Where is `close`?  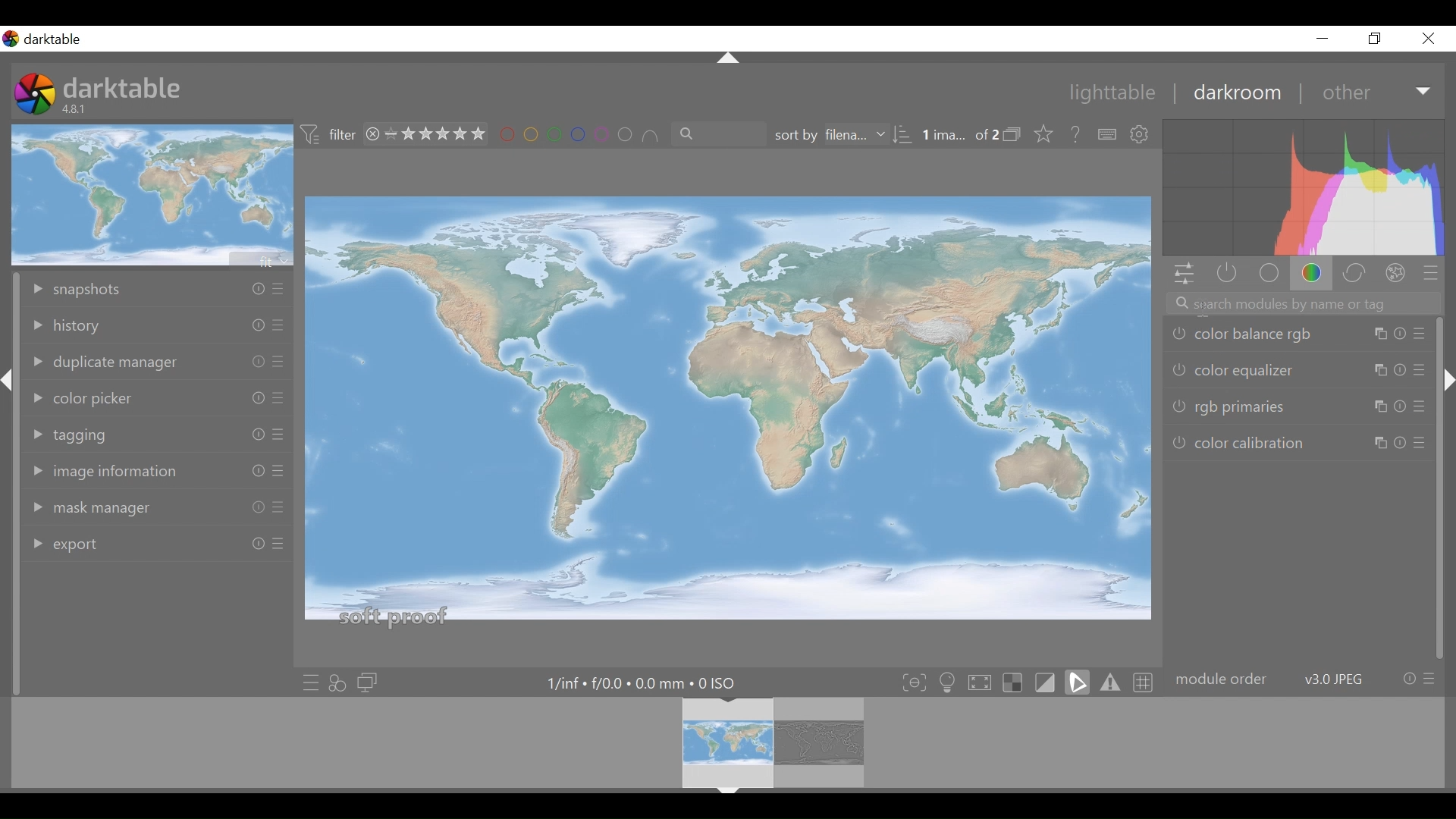
close is located at coordinates (371, 134).